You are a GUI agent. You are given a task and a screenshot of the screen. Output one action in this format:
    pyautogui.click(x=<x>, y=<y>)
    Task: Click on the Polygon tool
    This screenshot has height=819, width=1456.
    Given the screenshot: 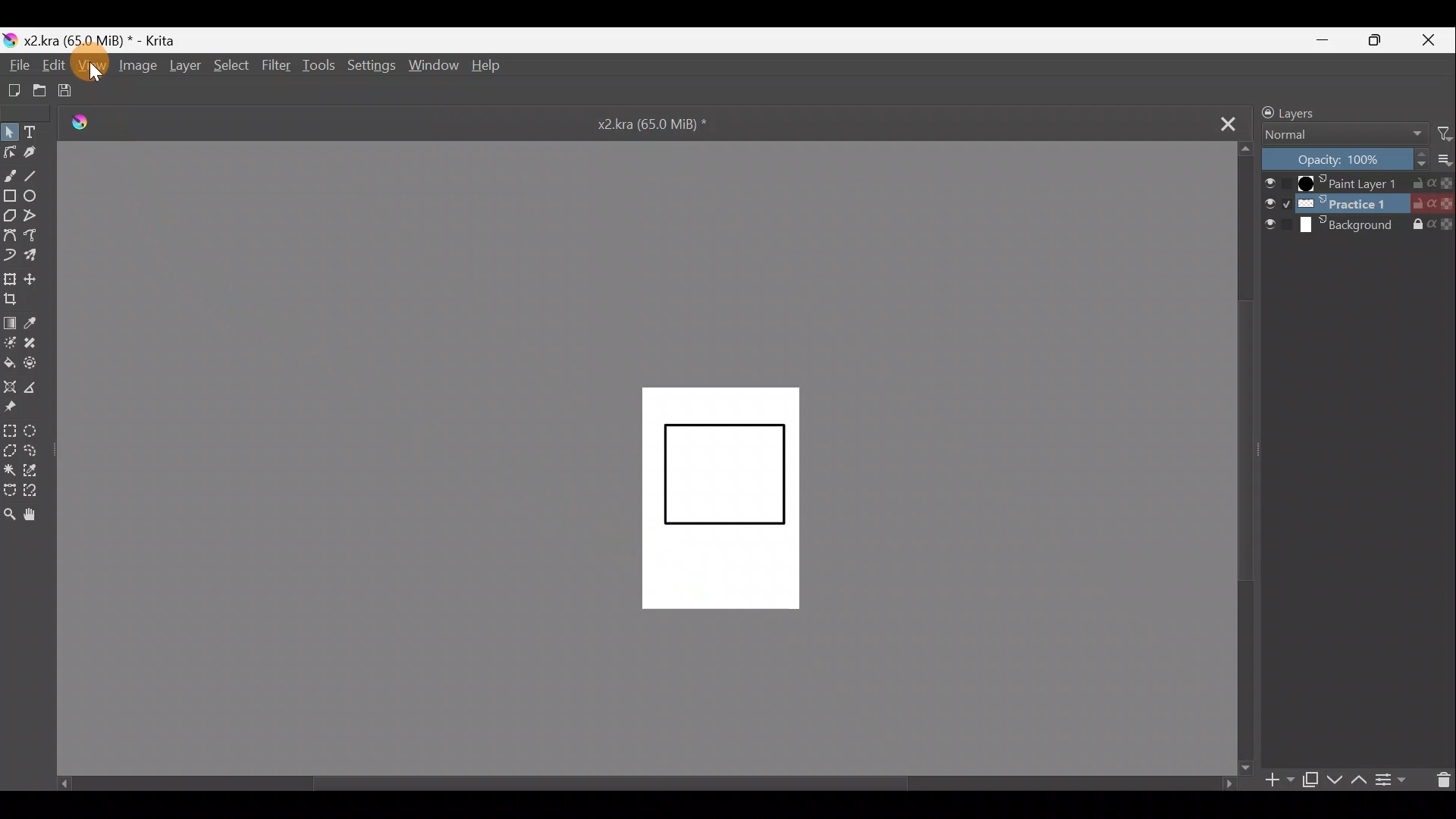 What is the action you would take?
    pyautogui.click(x=10, y=215)
    